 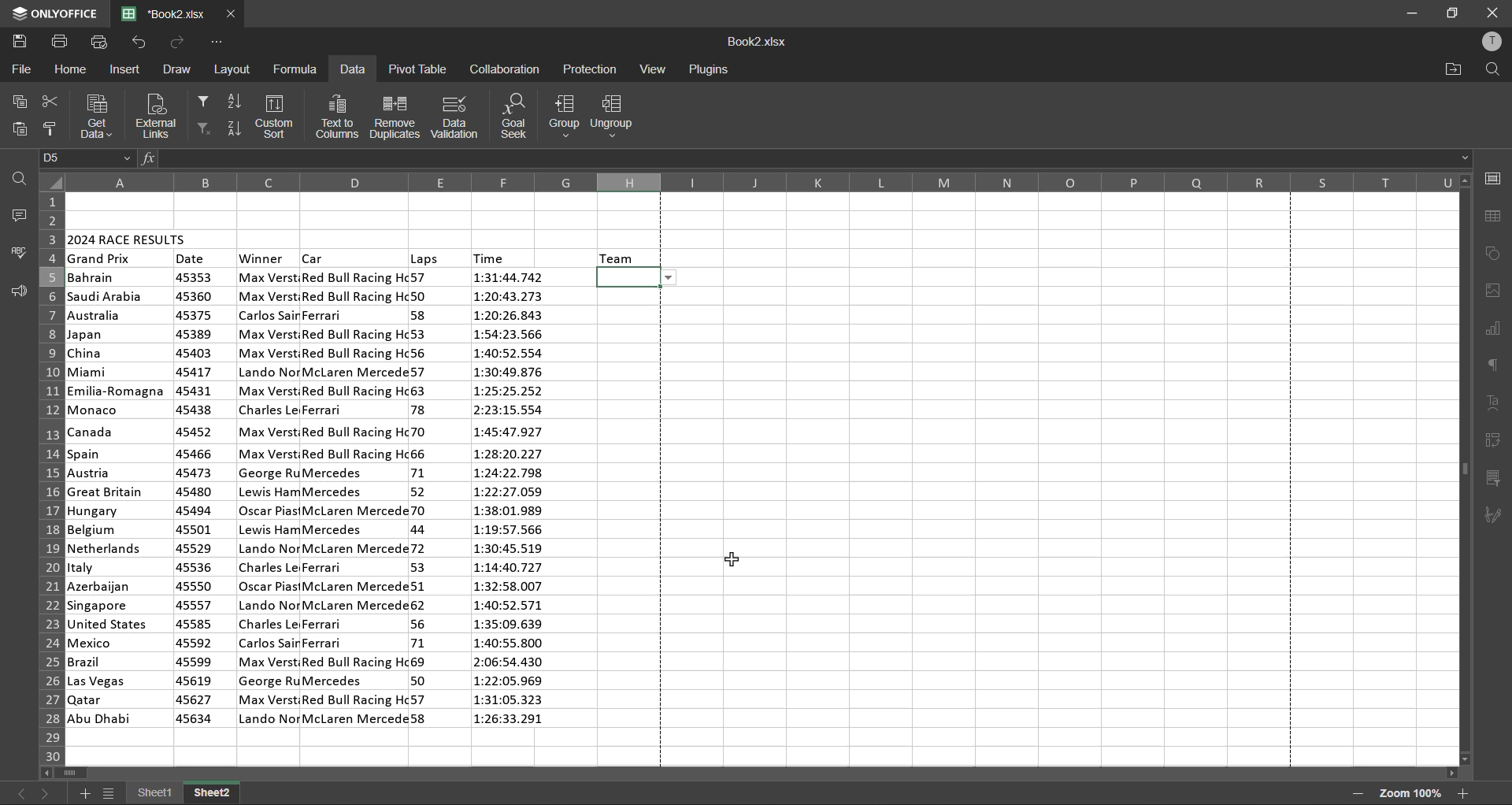 I want to click on goal seek, so click(x=518, y=117).